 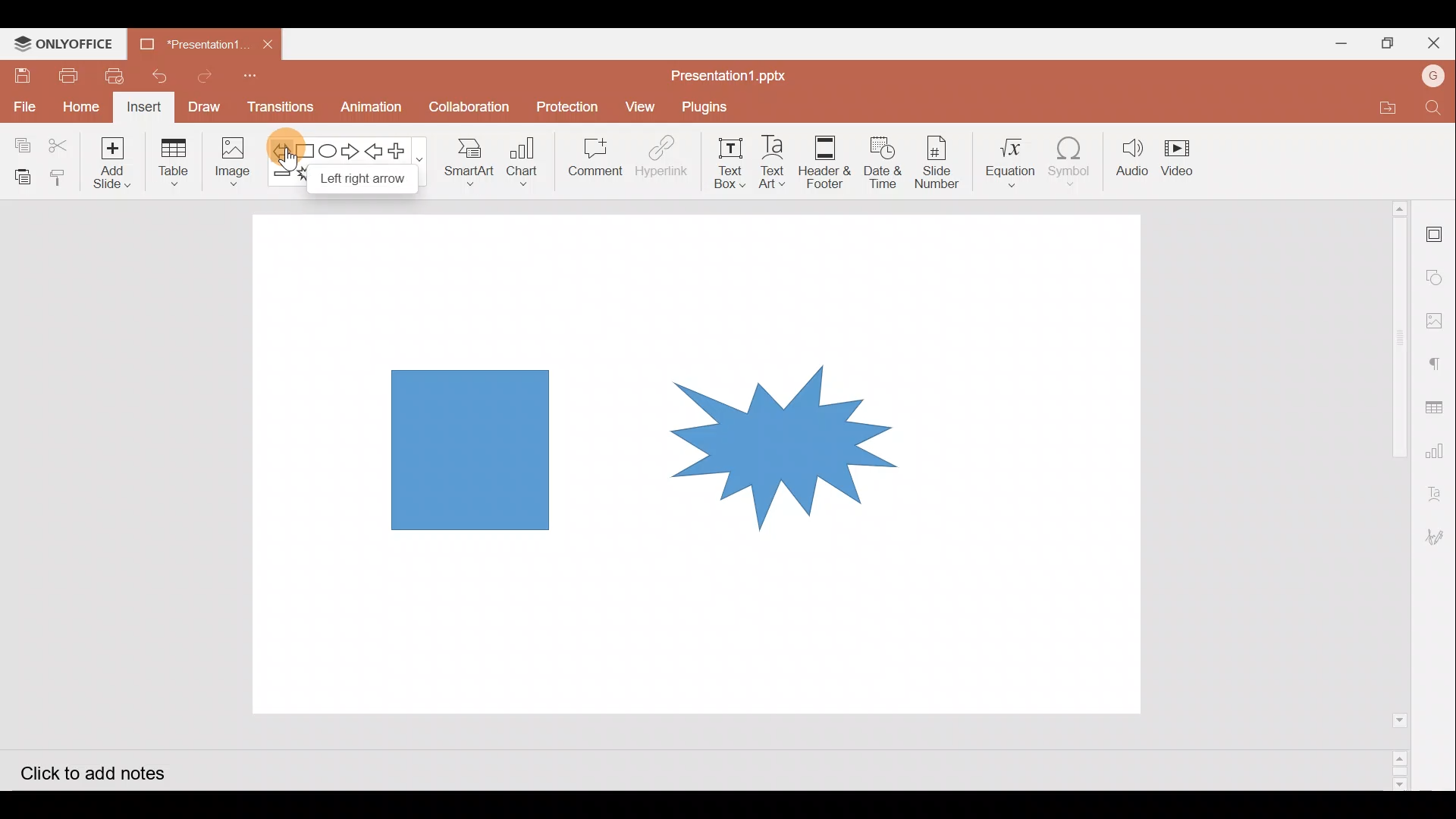 I want to click on Save, so click(x=21, y=75).